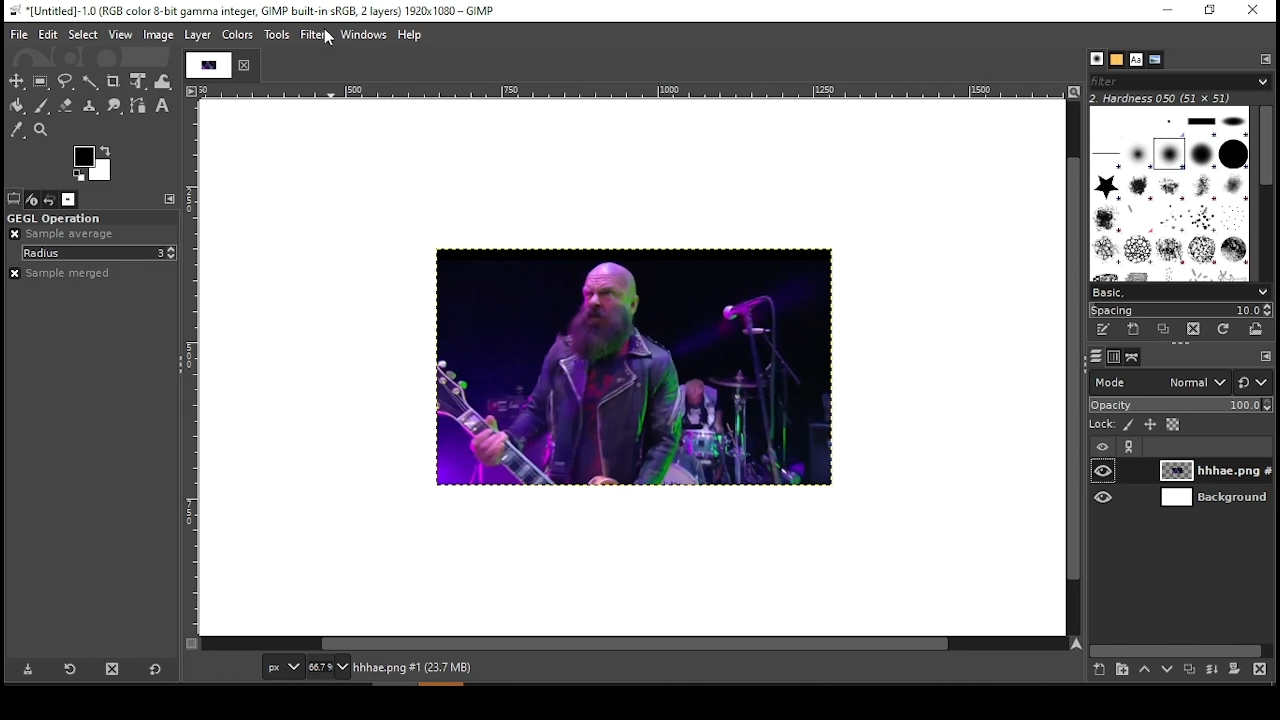  Describe the element at coordinates (1172, 670) in the screenshot. I see `move layer on step down` at that location.